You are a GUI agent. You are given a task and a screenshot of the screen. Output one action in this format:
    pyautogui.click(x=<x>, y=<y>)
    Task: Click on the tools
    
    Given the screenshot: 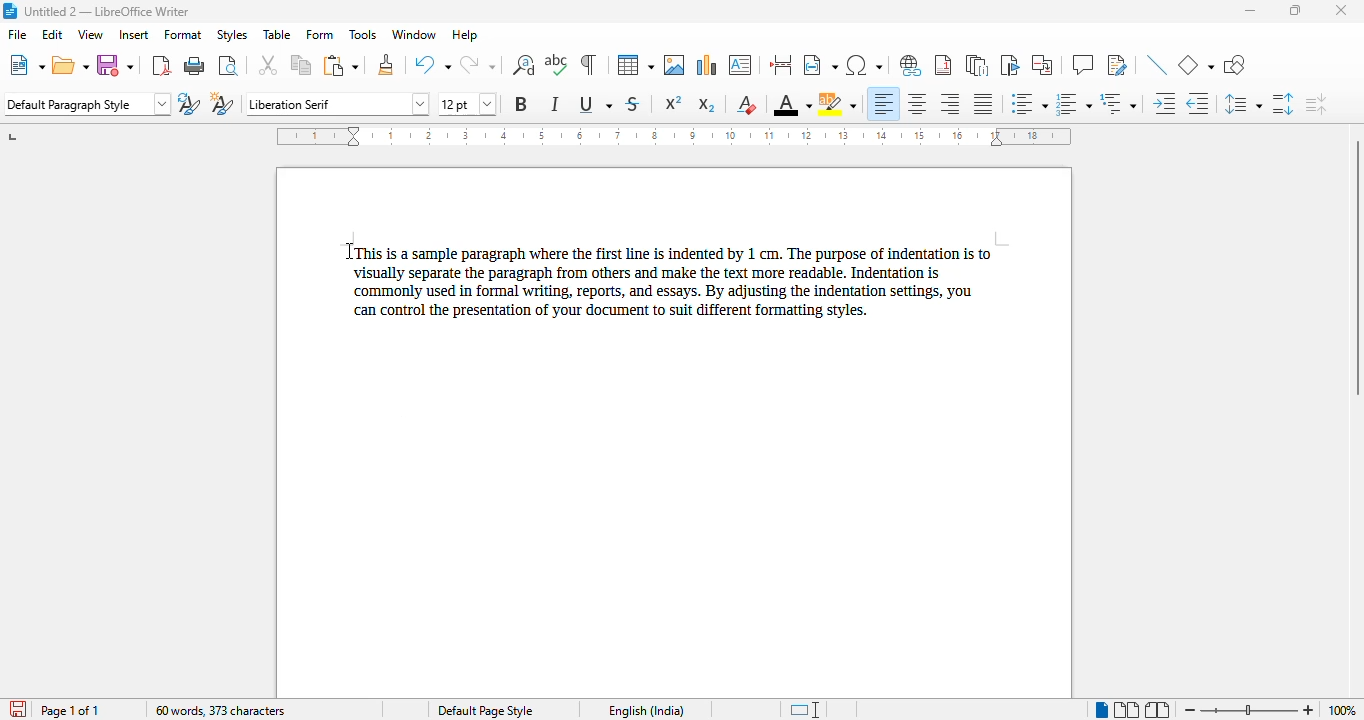 What is the action you would take?
    pyautogui.click(x=362, y=35)
    